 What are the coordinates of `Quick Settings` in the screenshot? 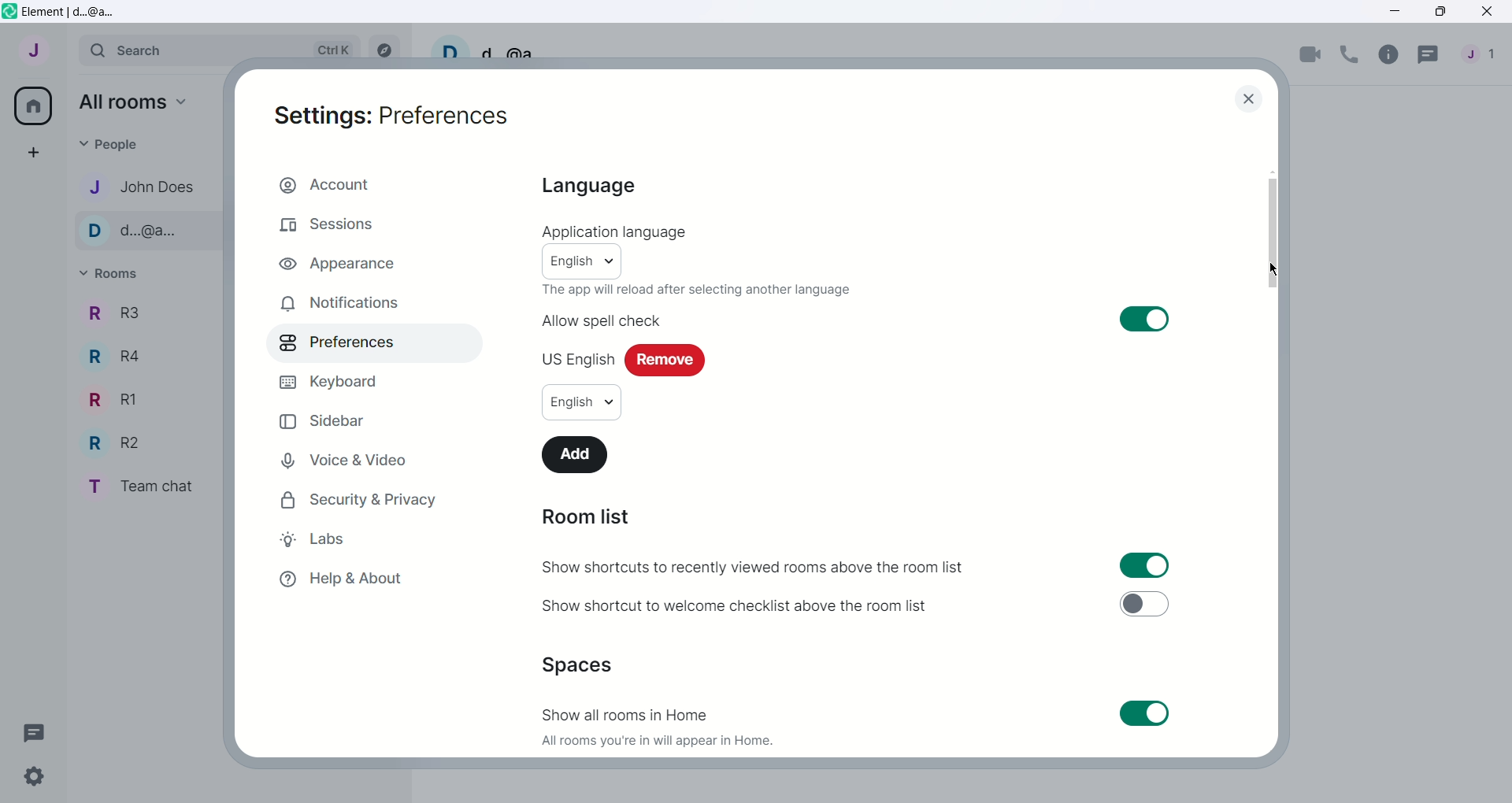 It's located at (34, 777).